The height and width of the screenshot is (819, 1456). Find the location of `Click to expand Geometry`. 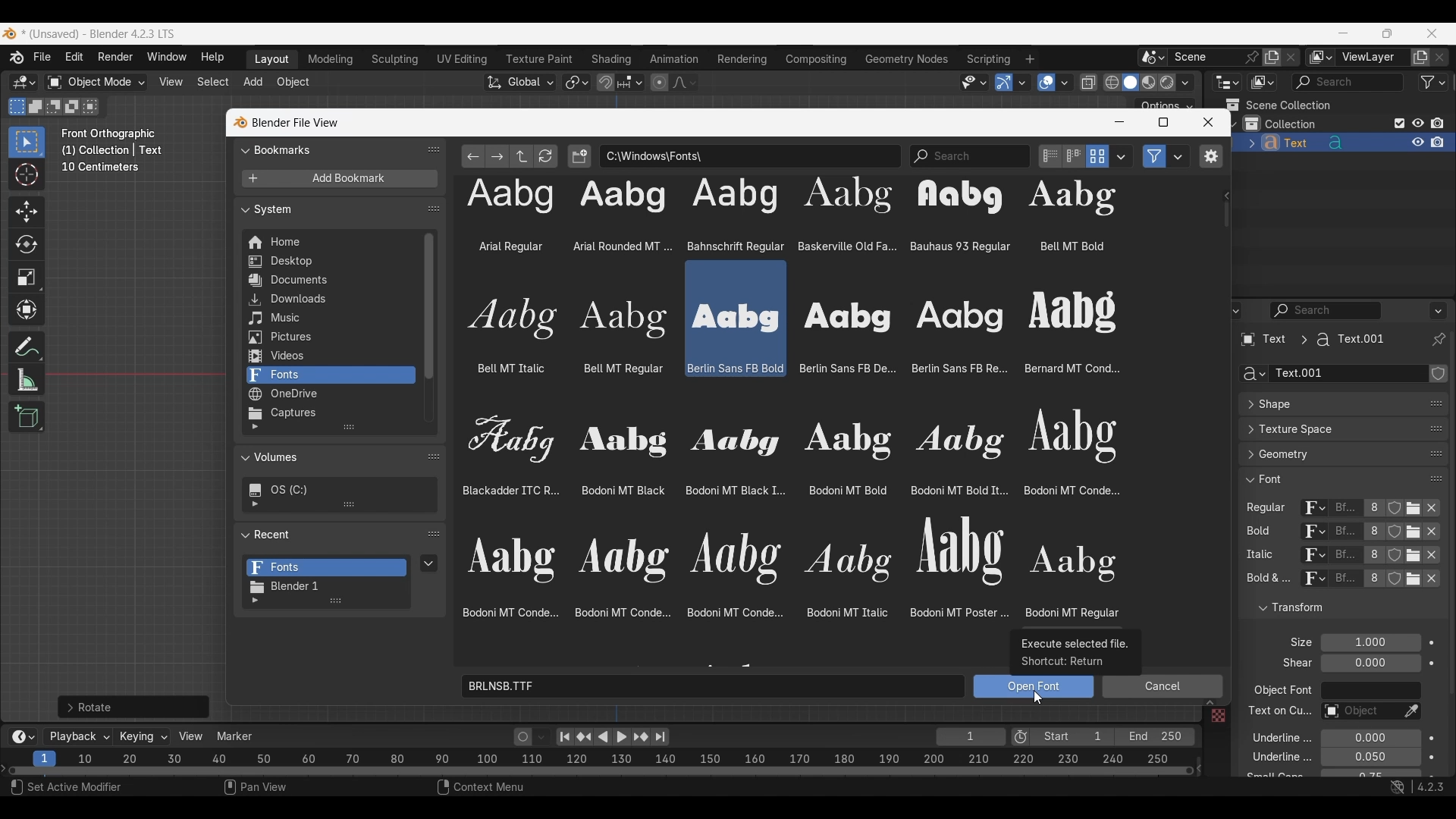

Click to expand Geometry is located at coordinates (1328, 454).